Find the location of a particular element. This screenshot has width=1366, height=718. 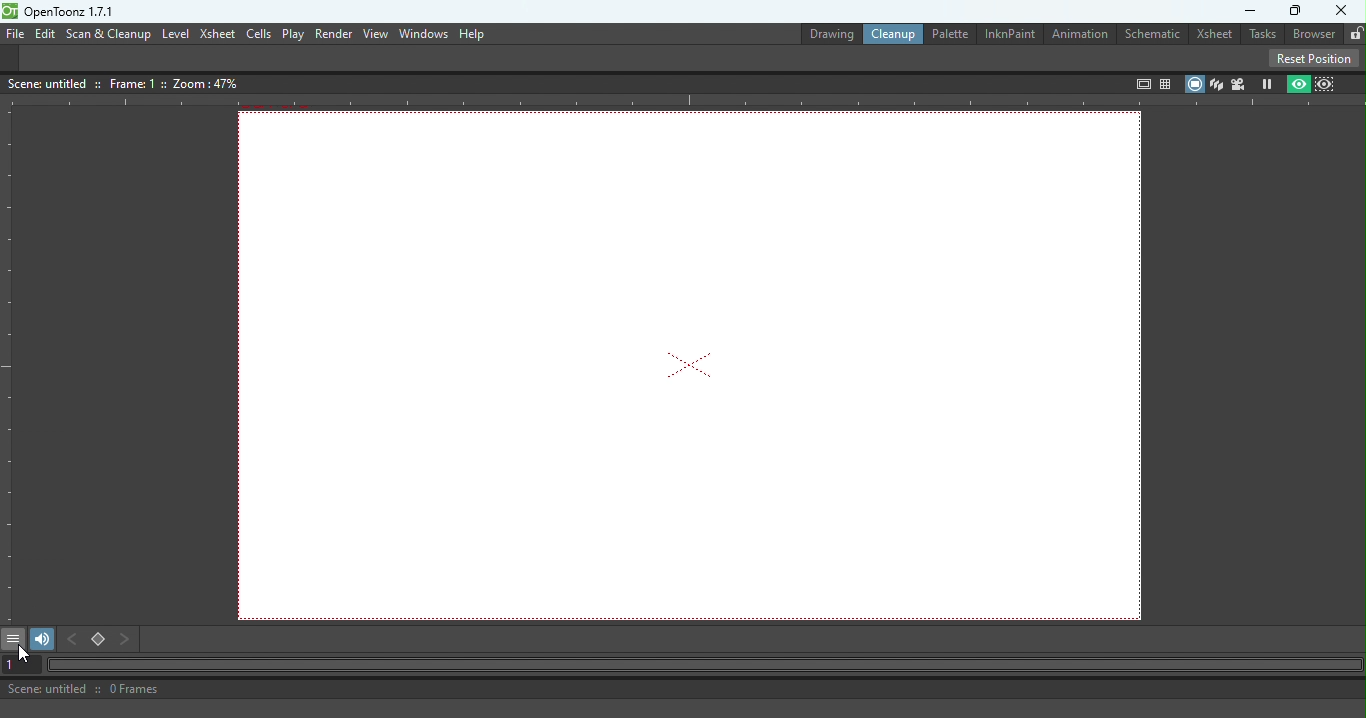

Clean up is located at coordinates (890, 34).